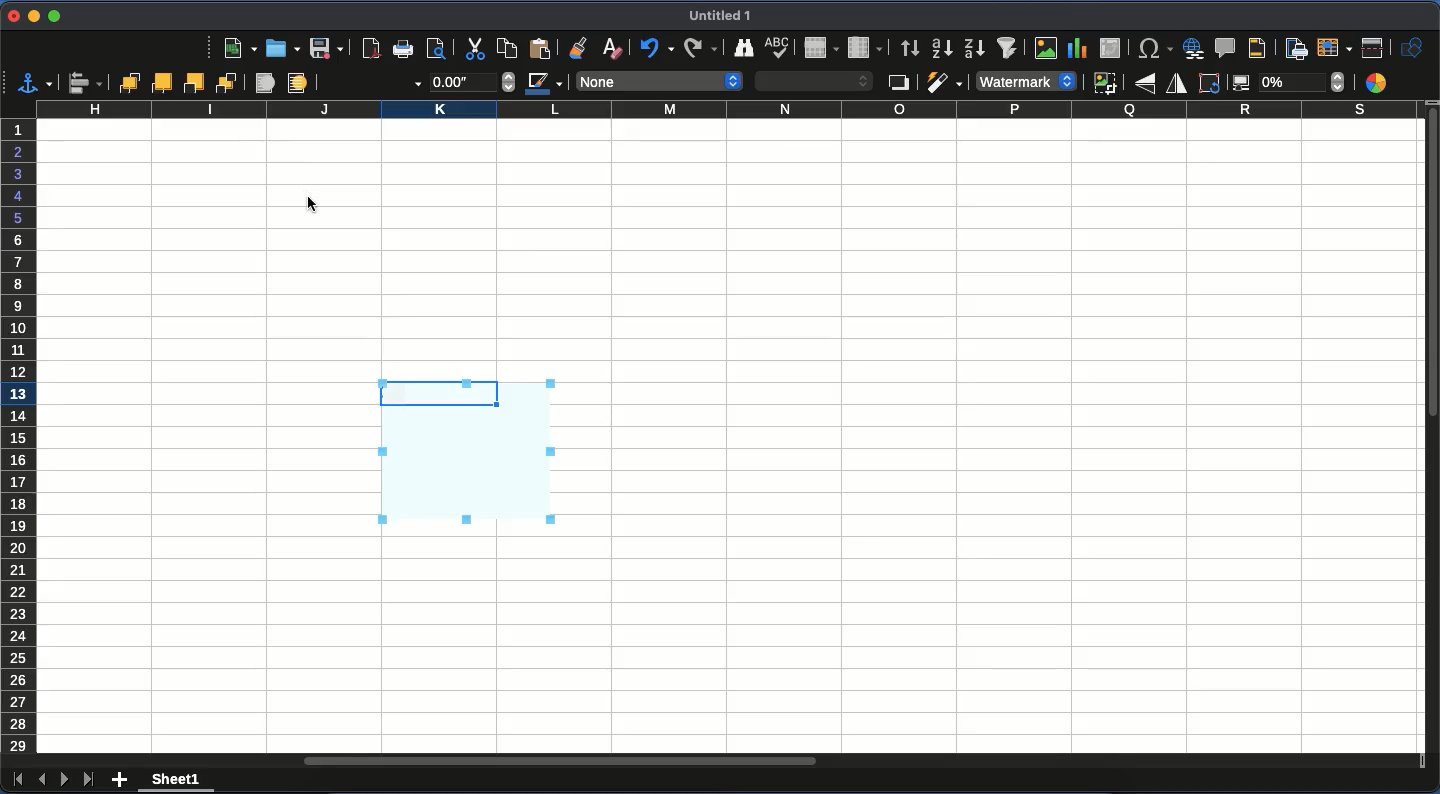 Image resolution: width=1440 pixels, height=794 pixels. I want to click on back one, so click(196, 82).